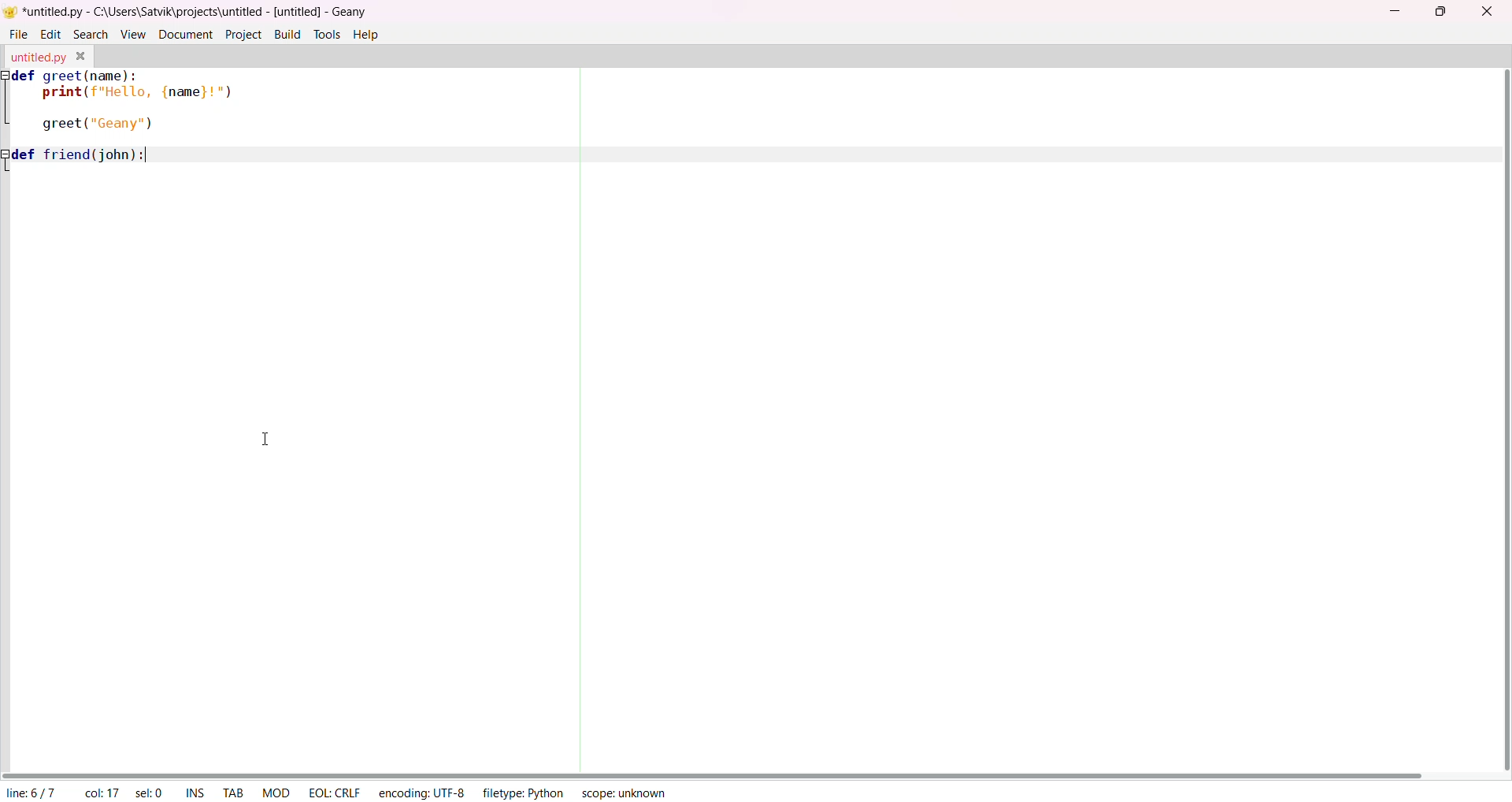 The image size is (1512, 802). What do you see at coordinates (272, 790) in the screenshot?
I see `MOD` at bounding box center [272, 790].